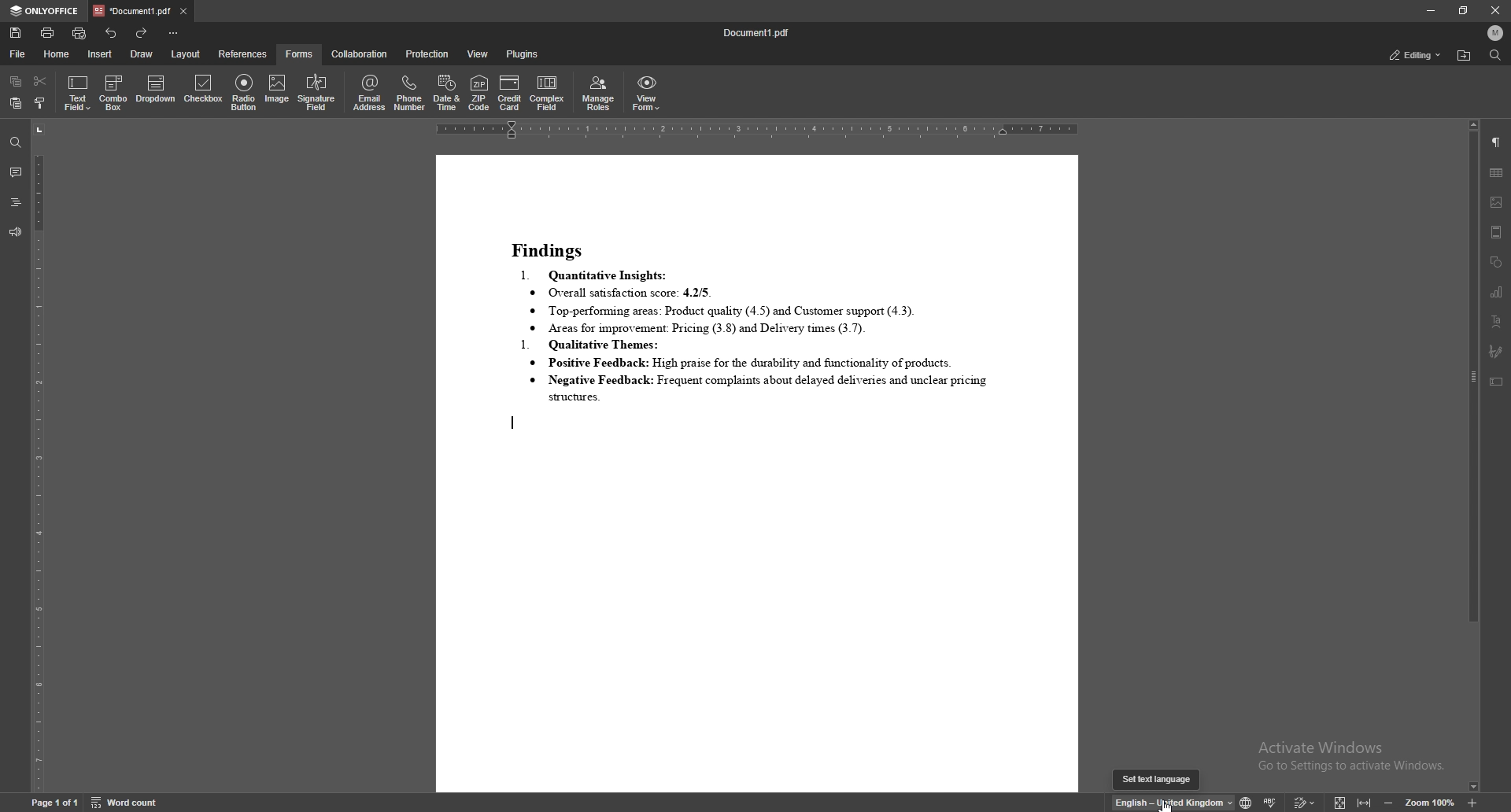  What do you see at coordinates (361, 54) in the screenshot?
I see `collaboration` at bounding box center [361, 54].